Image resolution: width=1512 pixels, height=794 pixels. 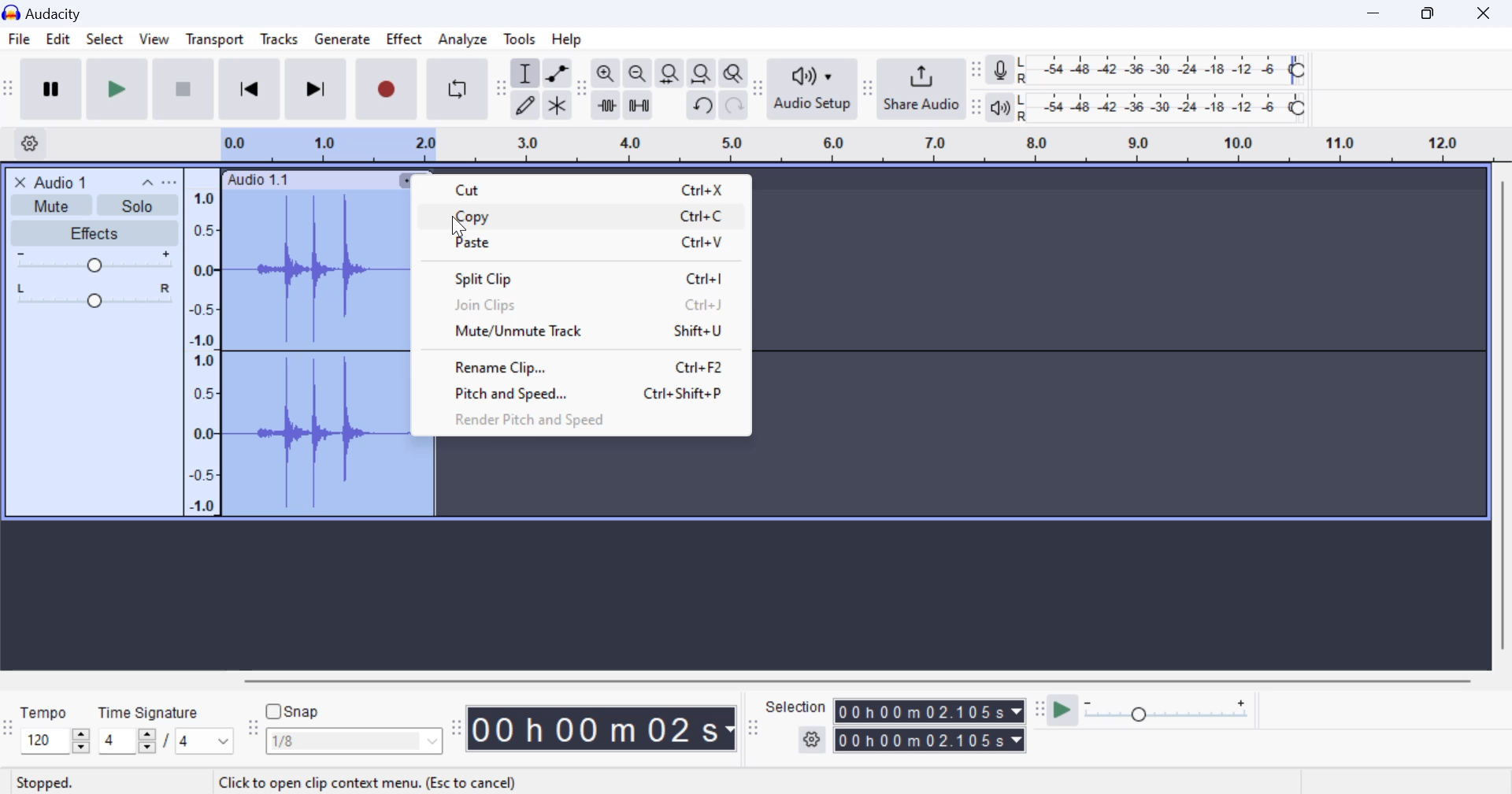 I want to click on Clip Status, so click(x=46, y=784).